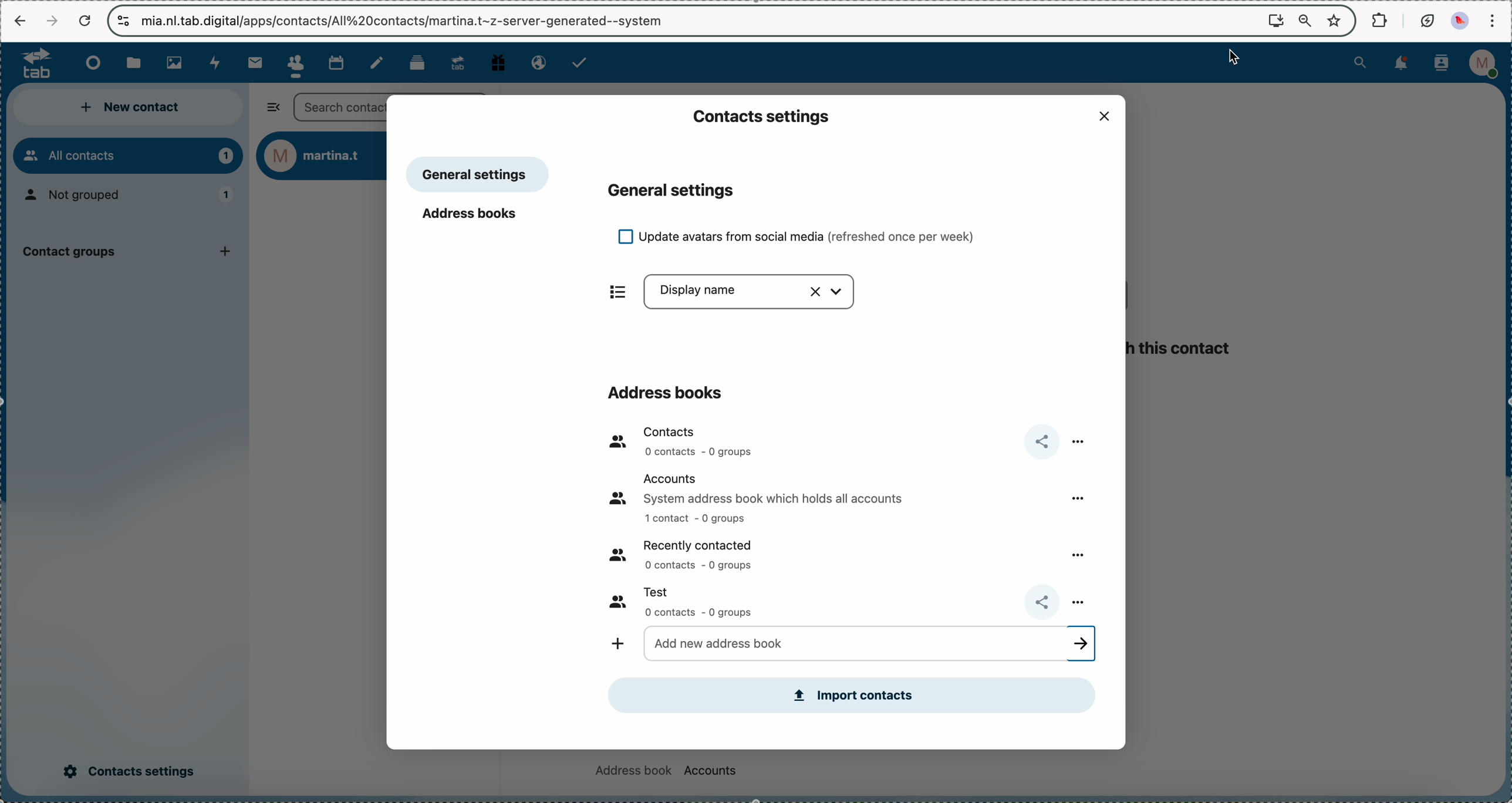 The height and width of the screenshot is (803, 1512). I want to click on share, so click(1040, 600).